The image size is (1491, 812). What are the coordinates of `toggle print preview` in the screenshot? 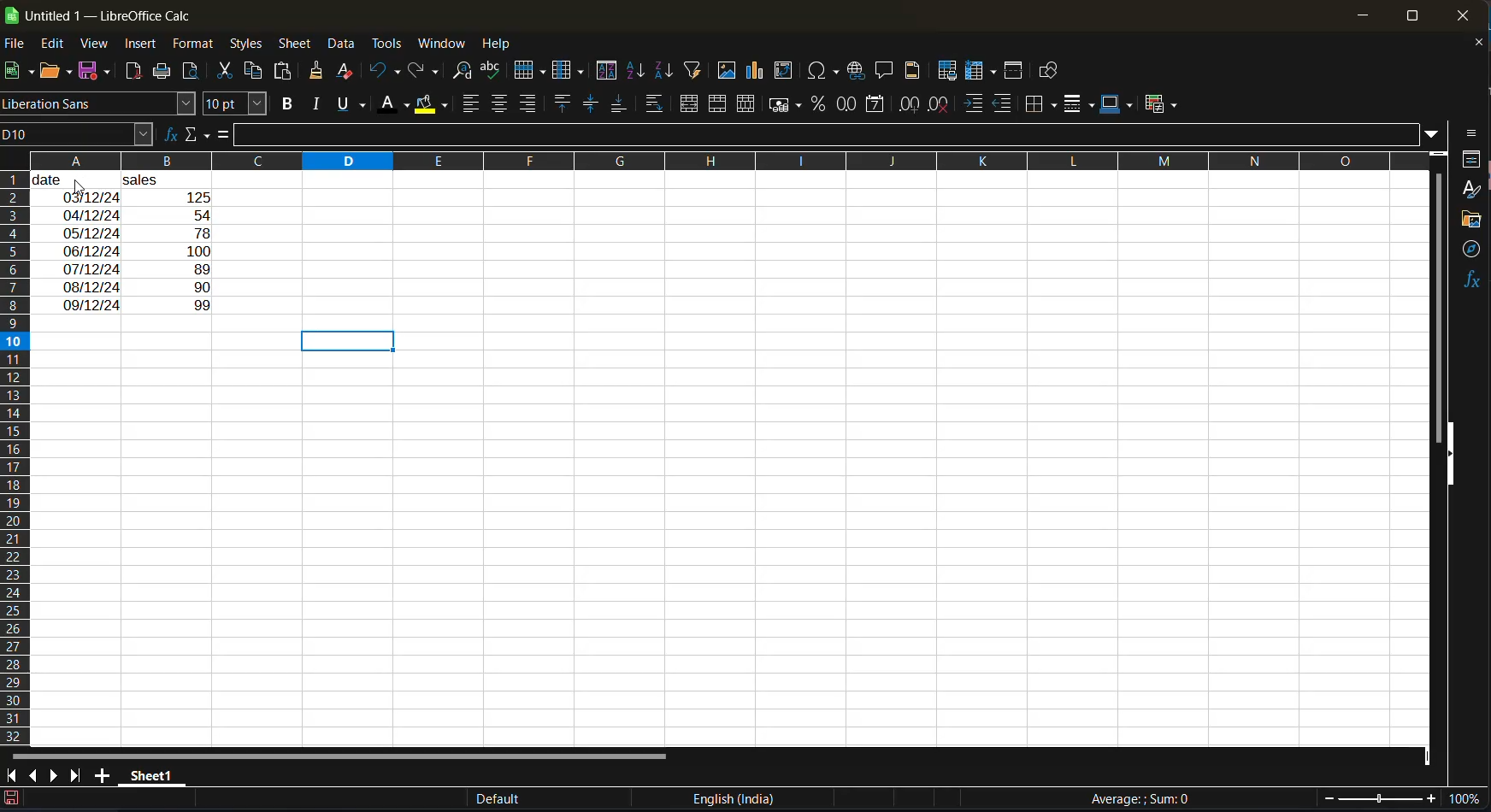 It's located at (193, 72).